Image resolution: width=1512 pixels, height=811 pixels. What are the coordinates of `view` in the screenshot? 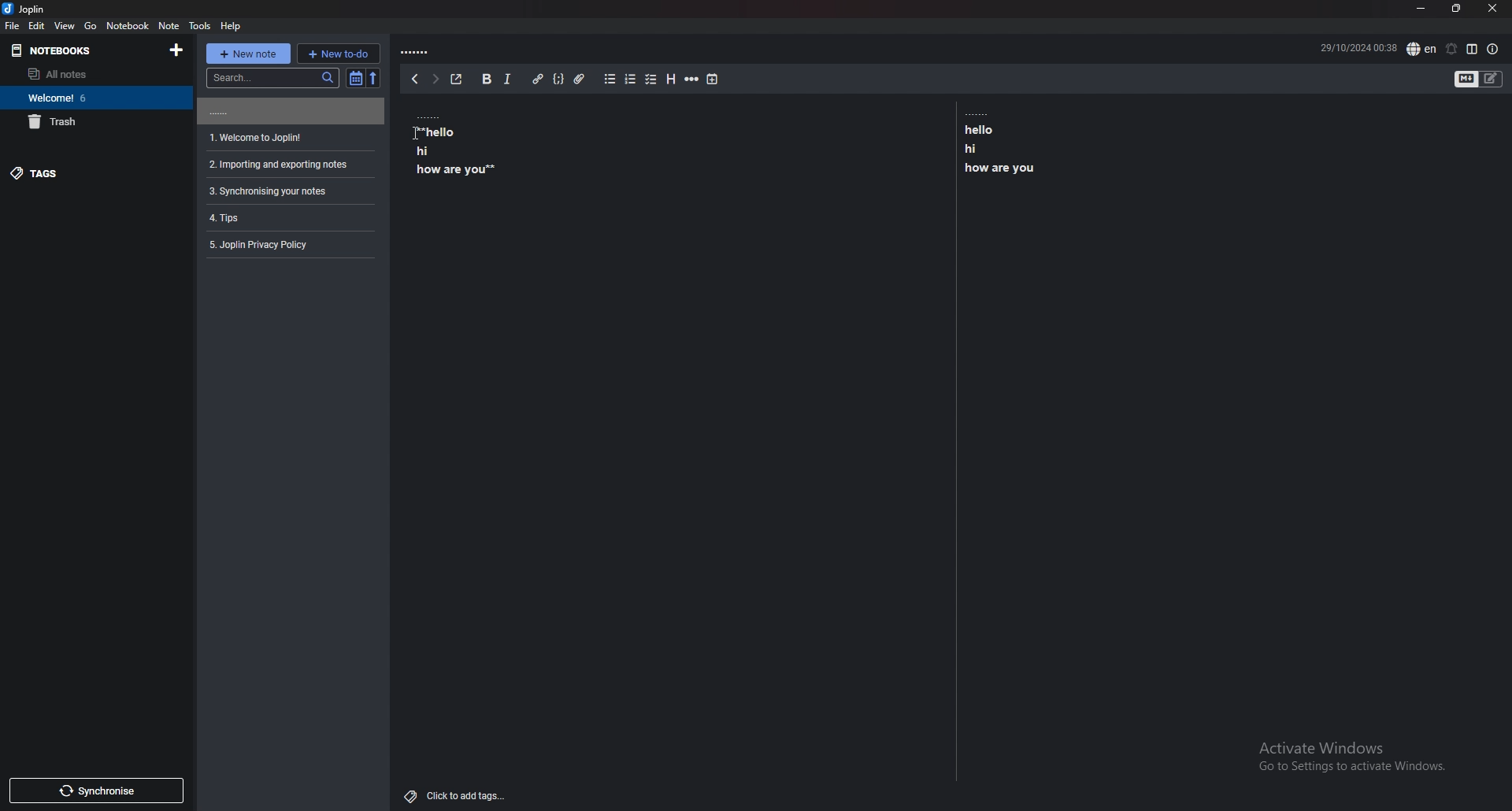 It's located at (66, 26).